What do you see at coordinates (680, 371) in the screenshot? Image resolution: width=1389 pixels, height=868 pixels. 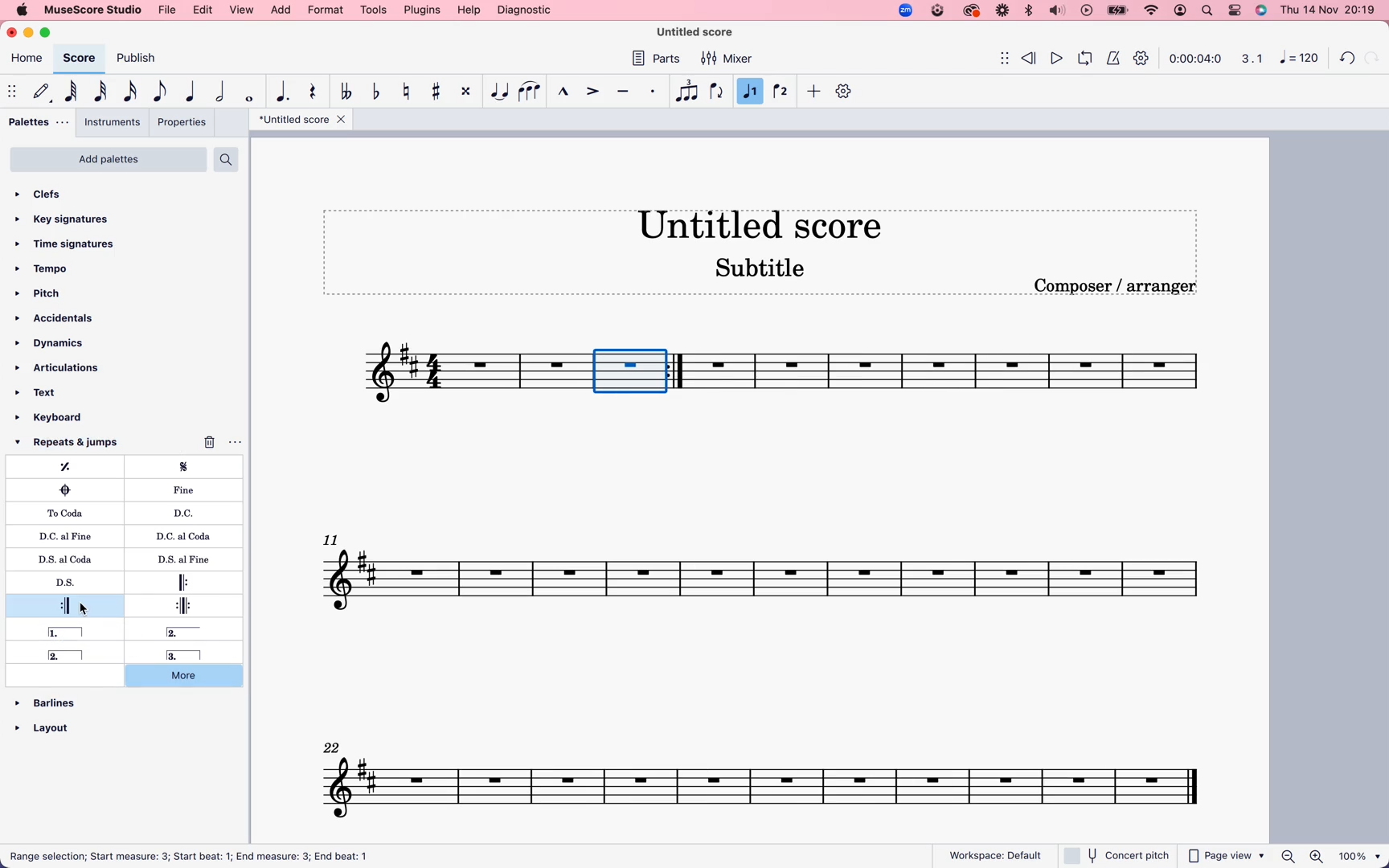 I see `repeat sign` at bounding box center [680, 371].